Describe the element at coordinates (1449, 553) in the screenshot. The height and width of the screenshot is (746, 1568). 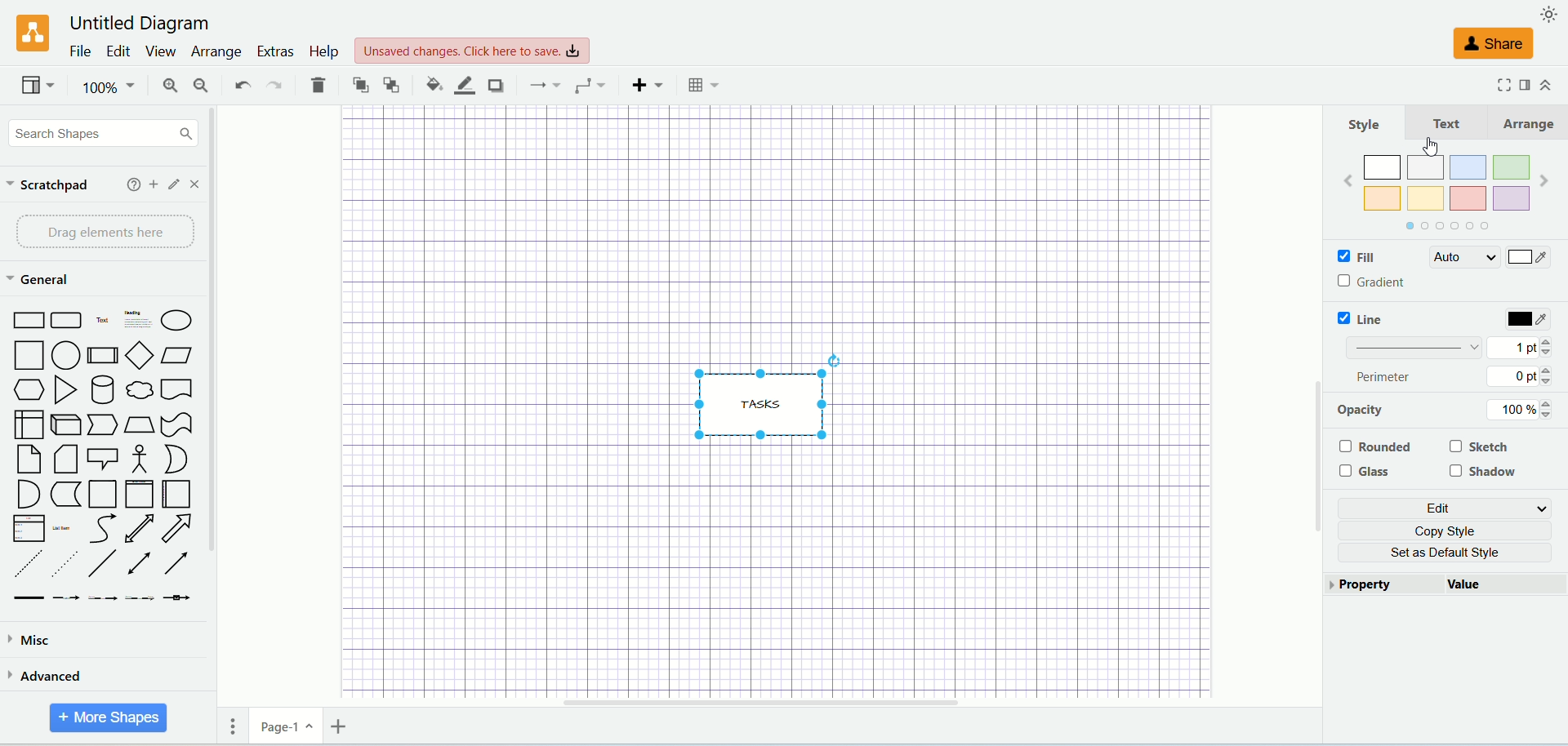
I see `set as default style` at that location.